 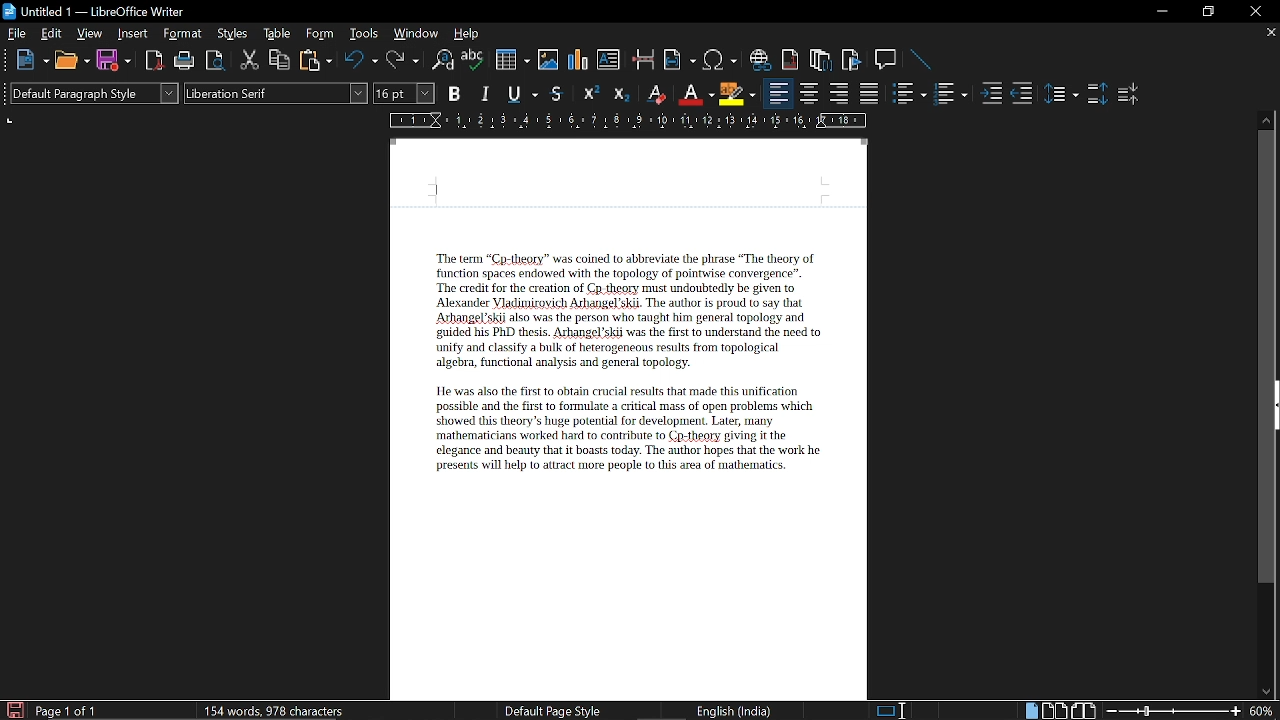 I want to click on view, so click(x=93, y=33).